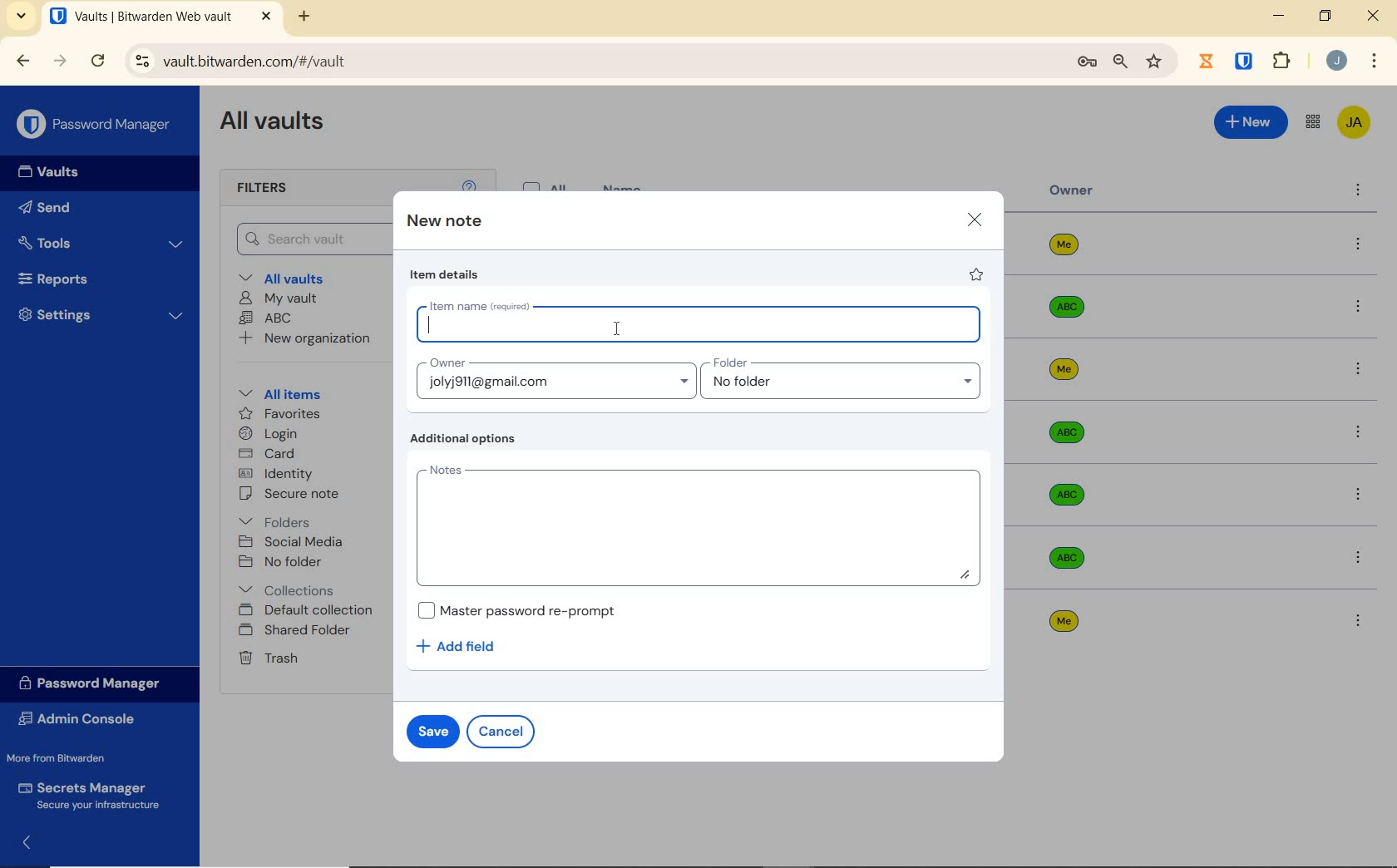 This screenshot has height=868, width=1397. I want to click on Password Manager, so click(95, 683).